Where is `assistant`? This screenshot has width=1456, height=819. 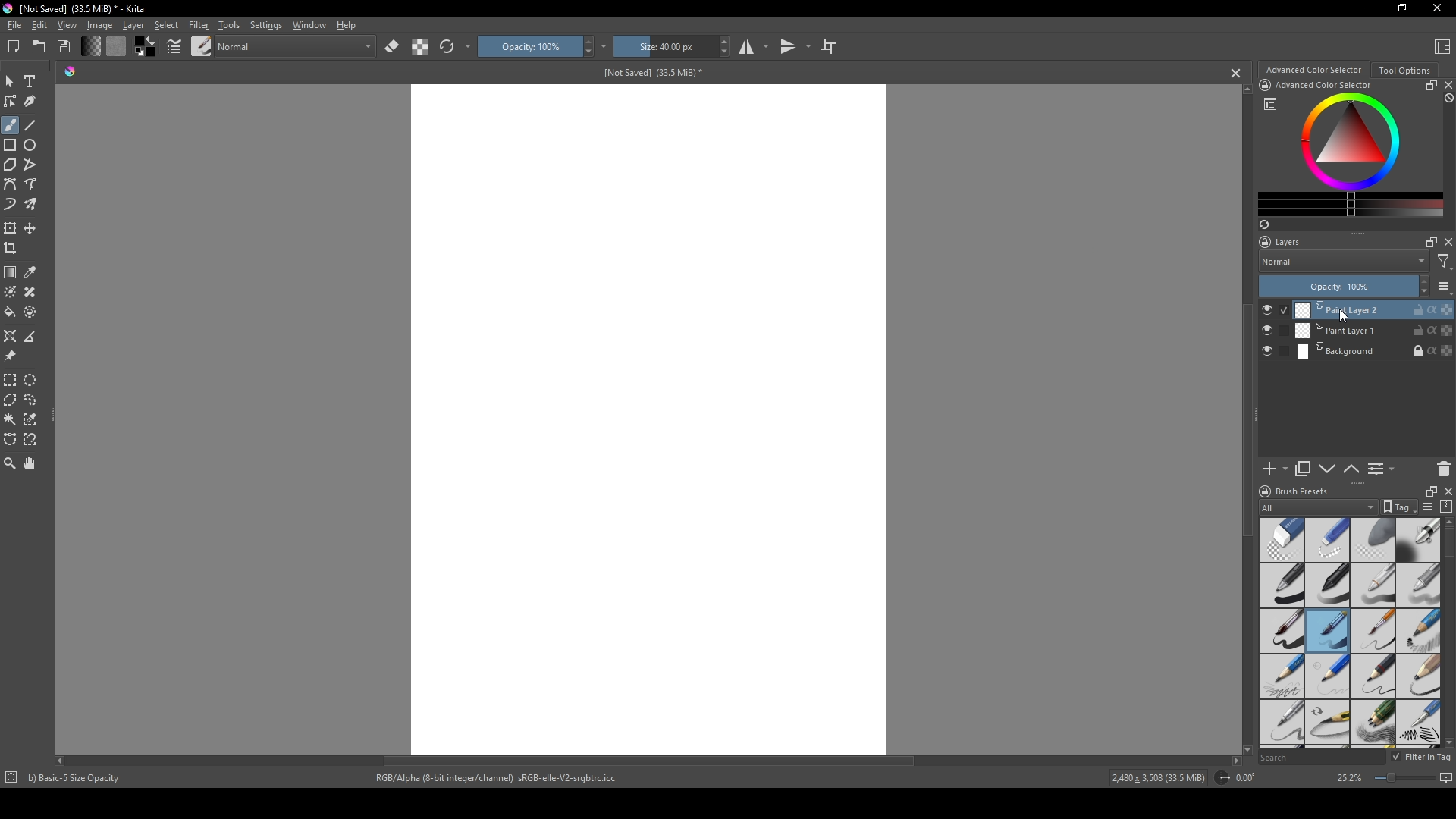
assistant is located at coordinates (11, 335).